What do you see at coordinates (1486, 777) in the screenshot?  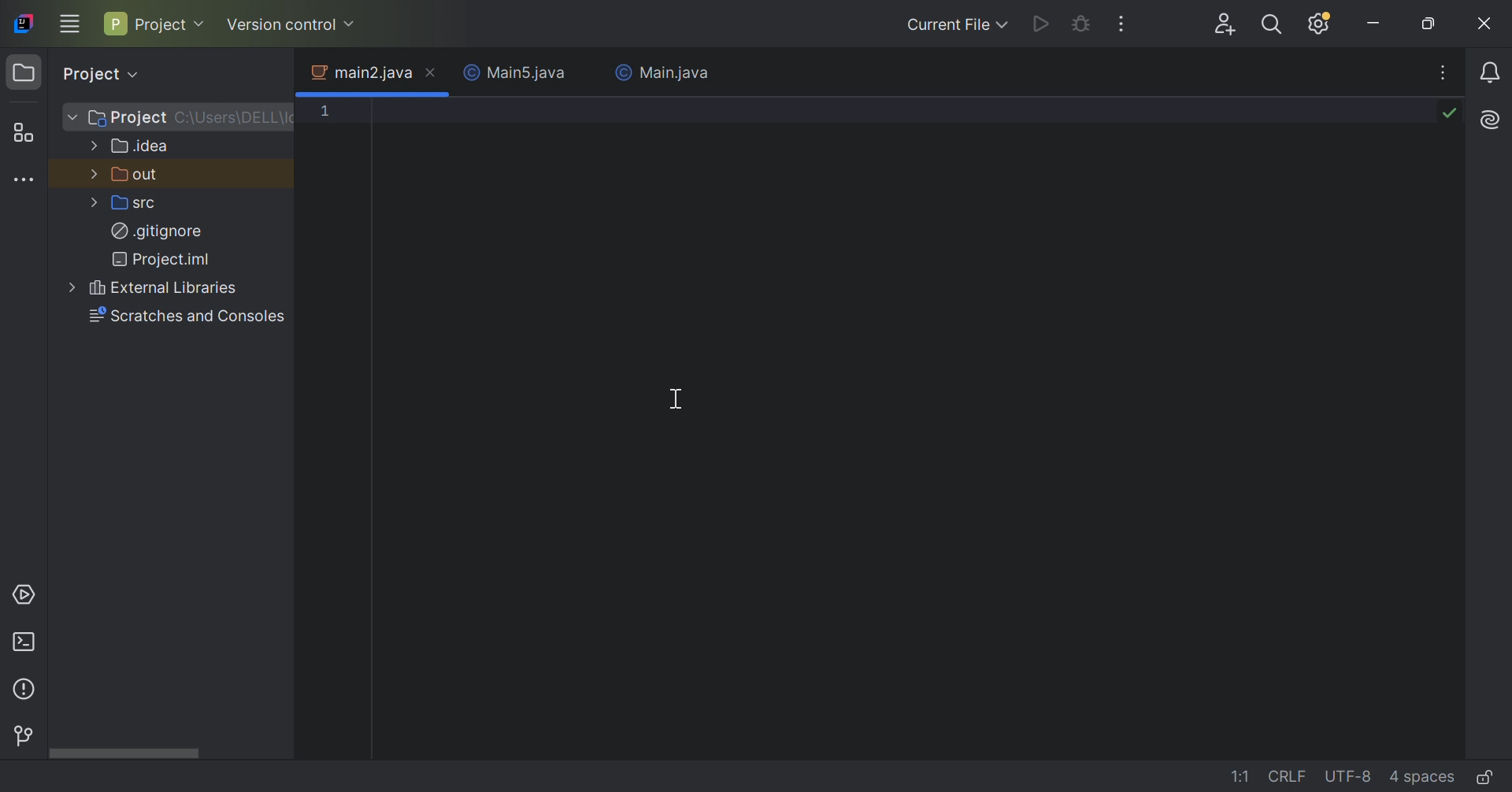 I see `Make file read only` at bounding box center [1486, 777].